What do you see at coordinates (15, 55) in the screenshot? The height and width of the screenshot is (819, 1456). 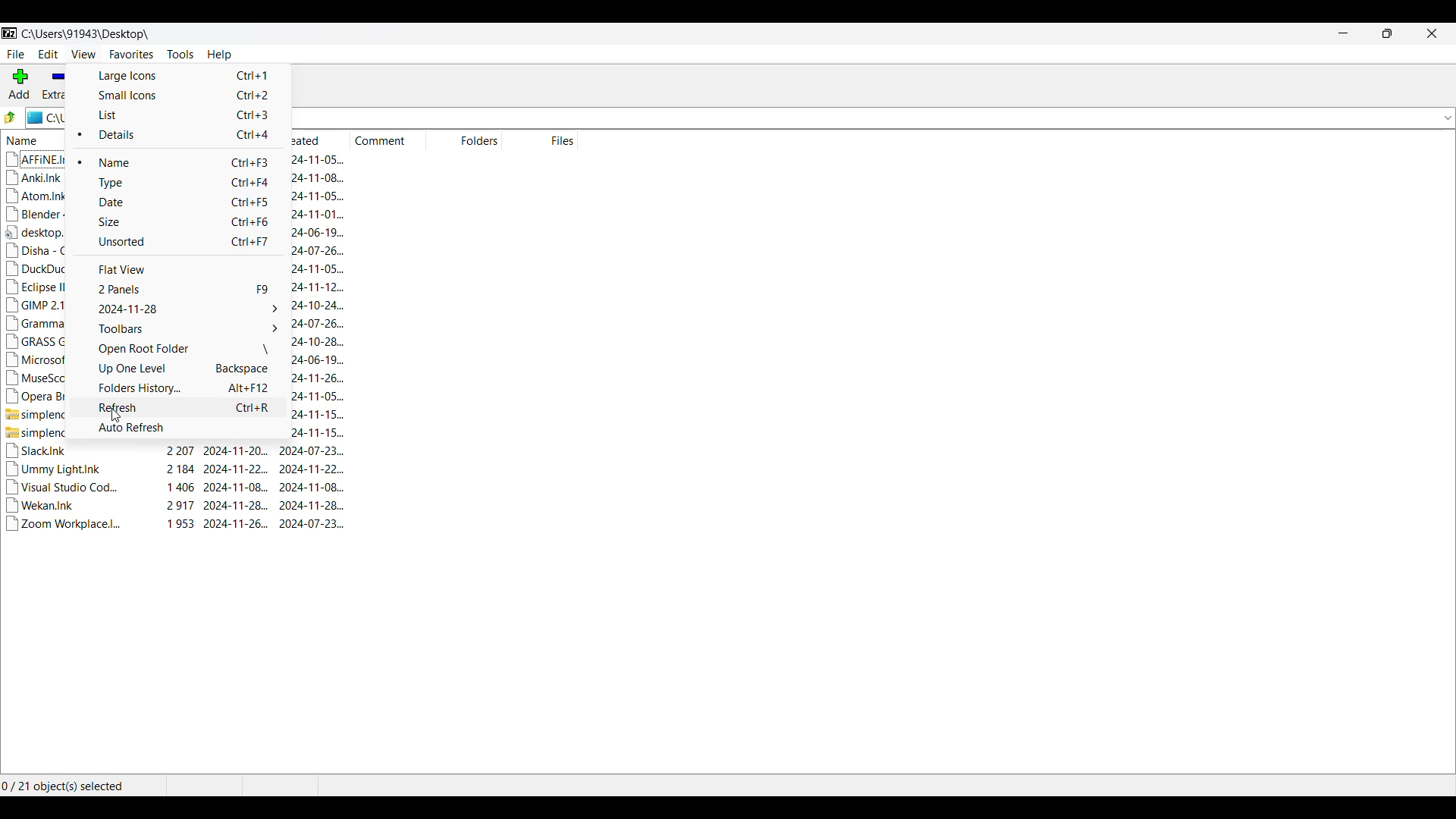 I see `File` at bounding box center [15, 55].